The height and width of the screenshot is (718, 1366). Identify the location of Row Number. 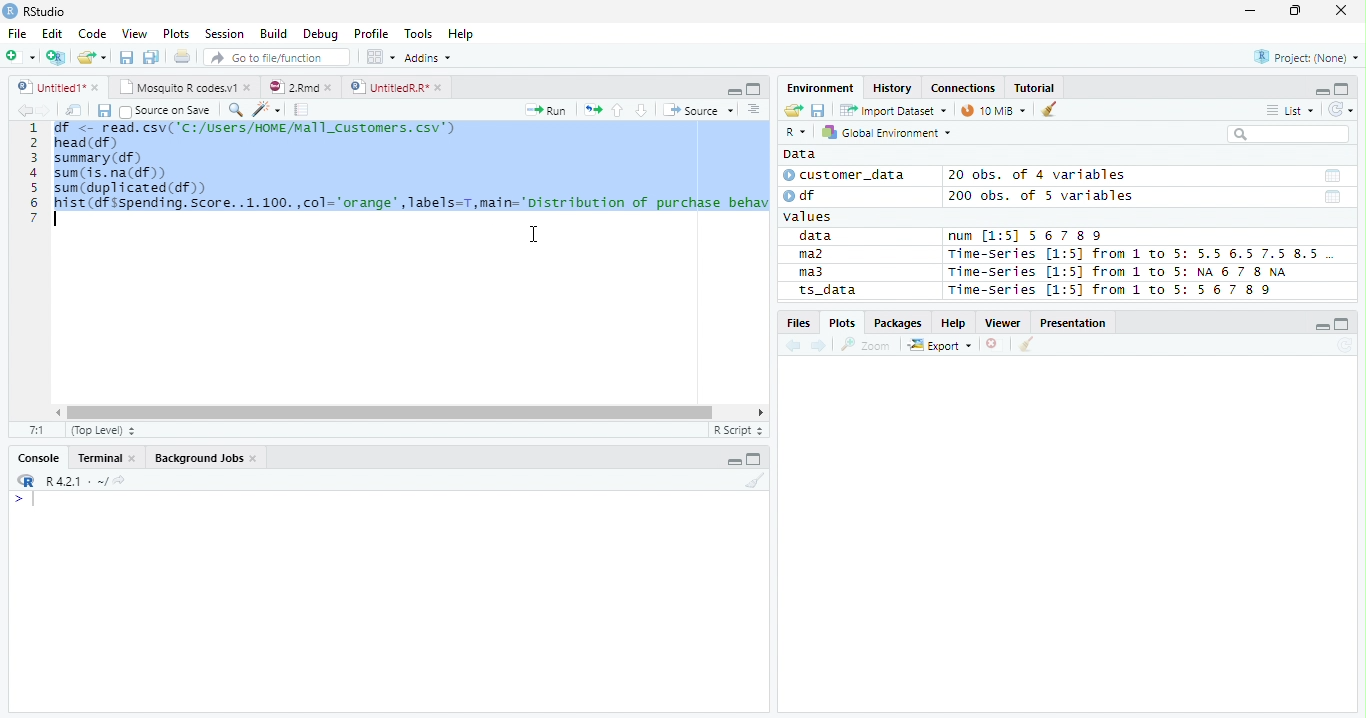
(33, 172).